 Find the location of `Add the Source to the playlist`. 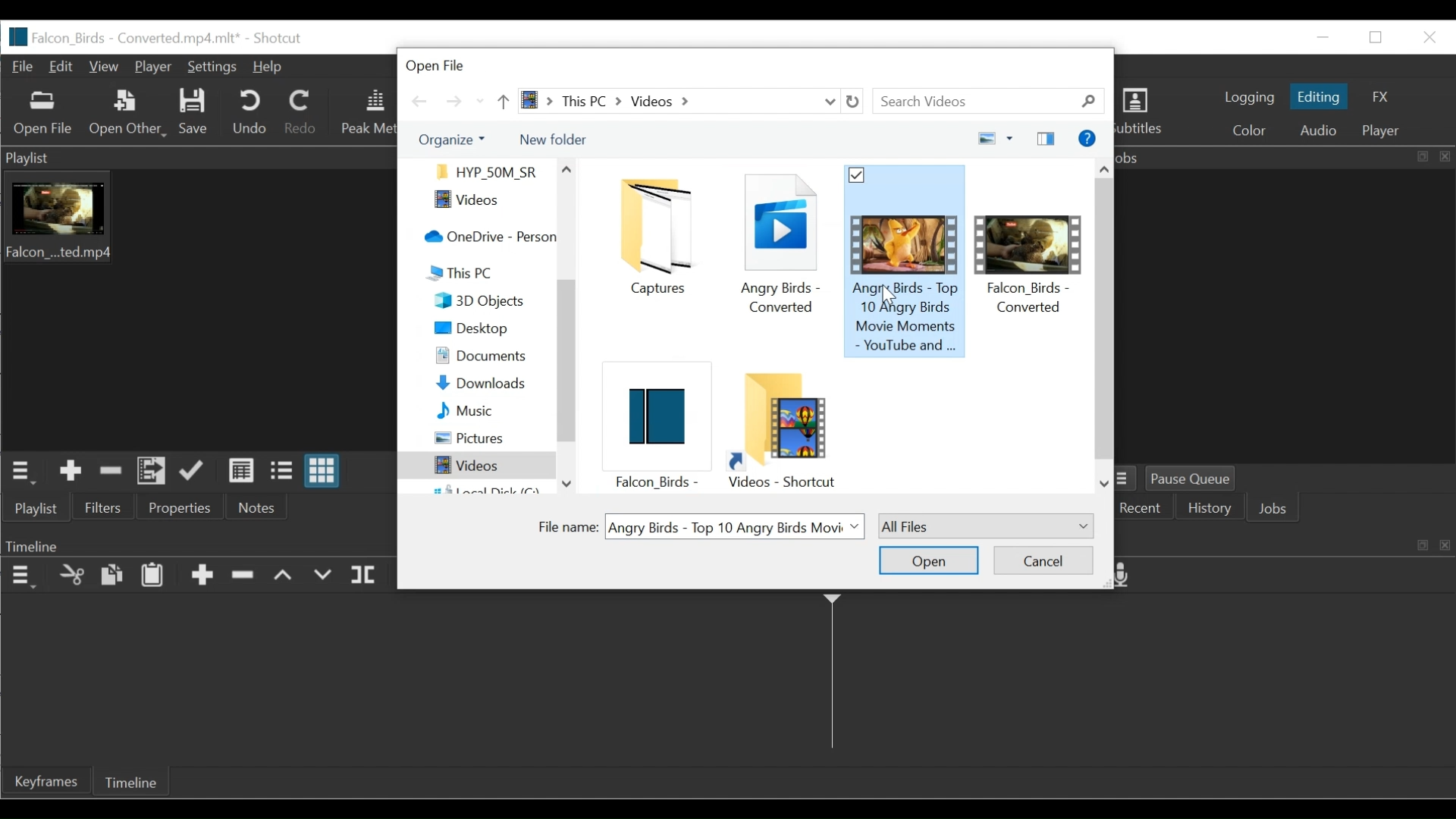

Add the Source to the playlist is located at coordinates (71, 472).